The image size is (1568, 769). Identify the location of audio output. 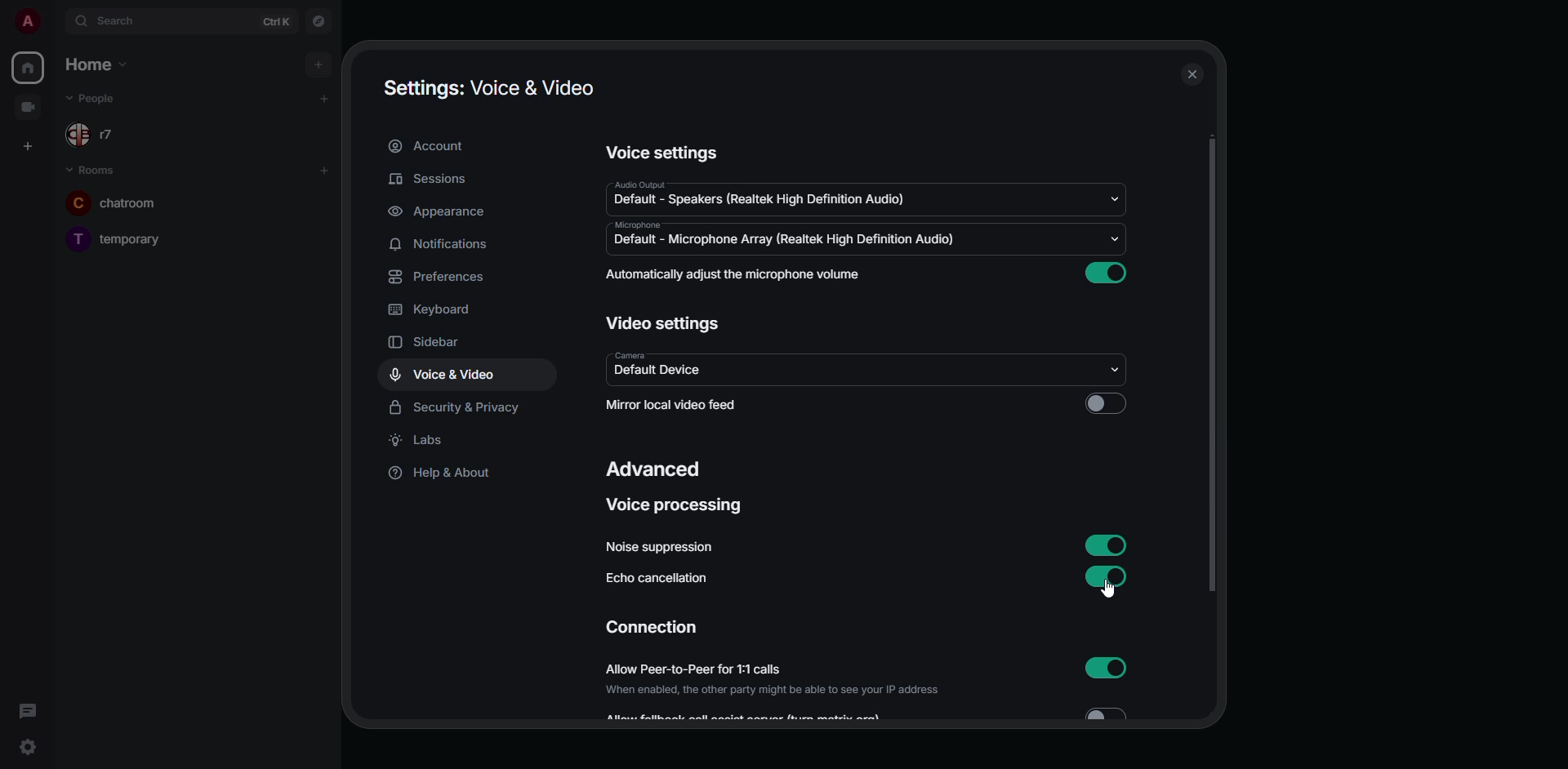
(638, 184).